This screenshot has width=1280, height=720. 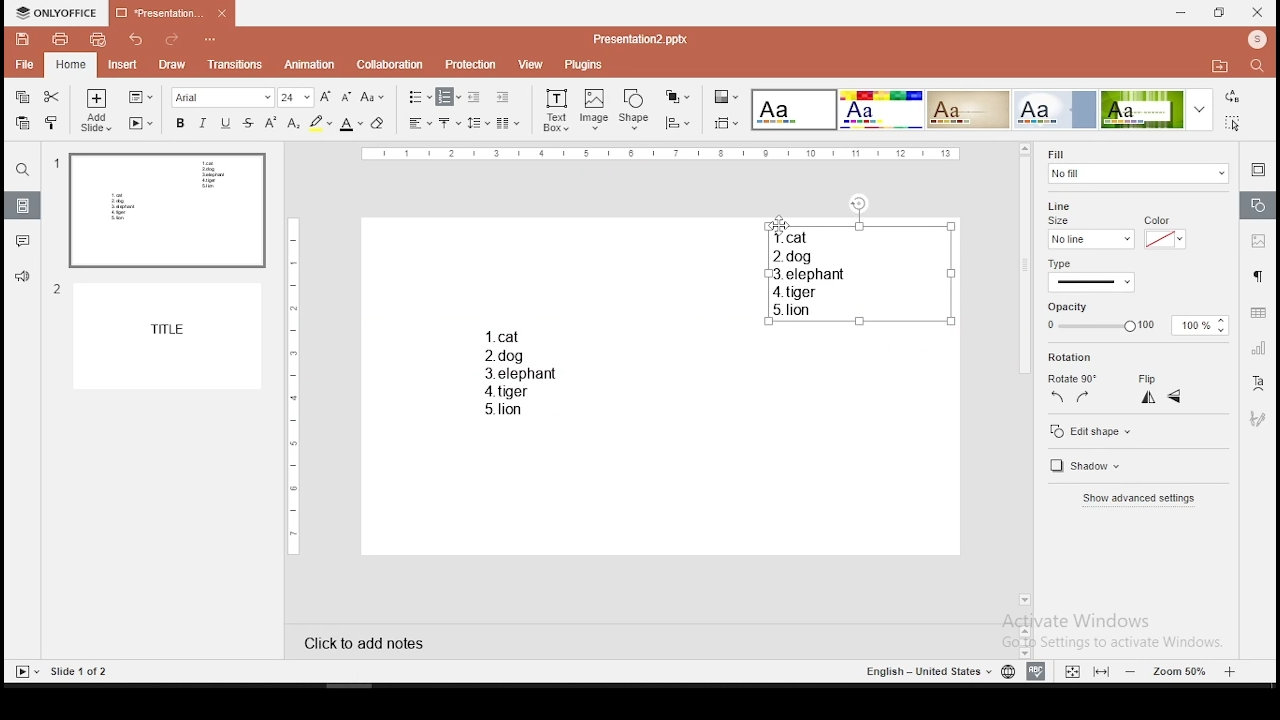 I want to click on icon, so click(x=57, y=14).